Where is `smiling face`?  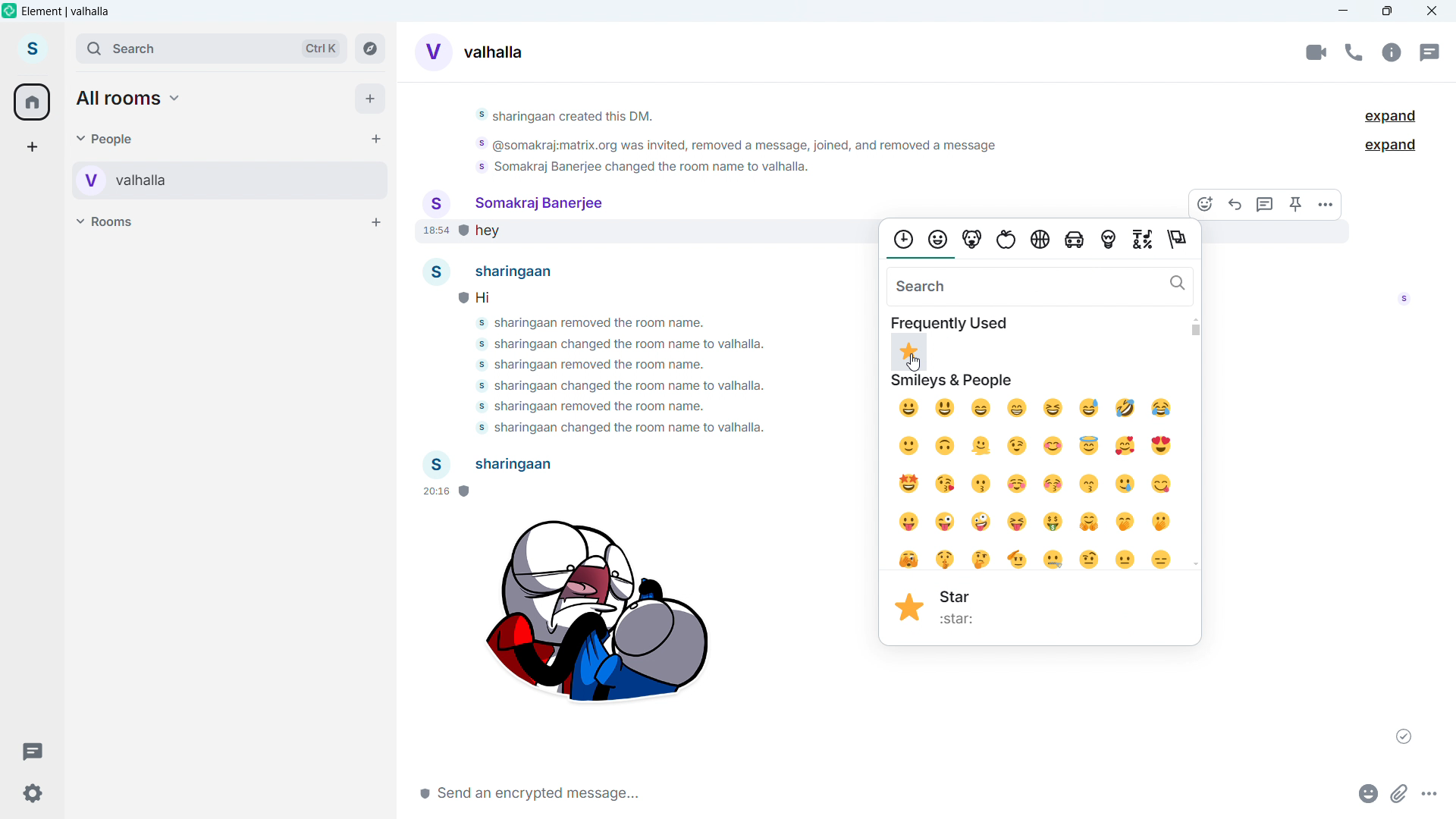 smiling face is located at coordinates (1020, 485).